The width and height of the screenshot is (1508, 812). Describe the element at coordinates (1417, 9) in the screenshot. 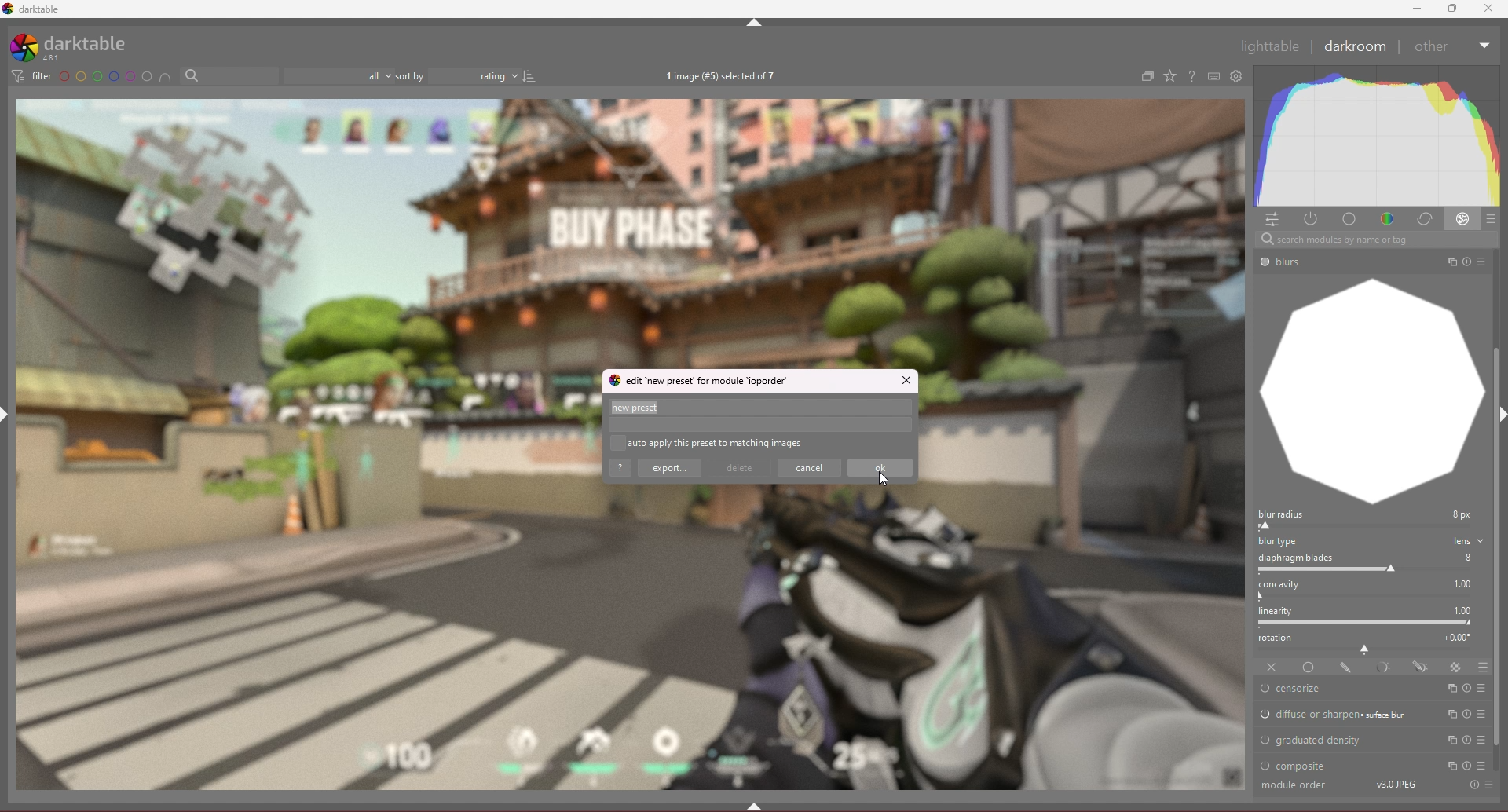

I see `minimize` at that location.